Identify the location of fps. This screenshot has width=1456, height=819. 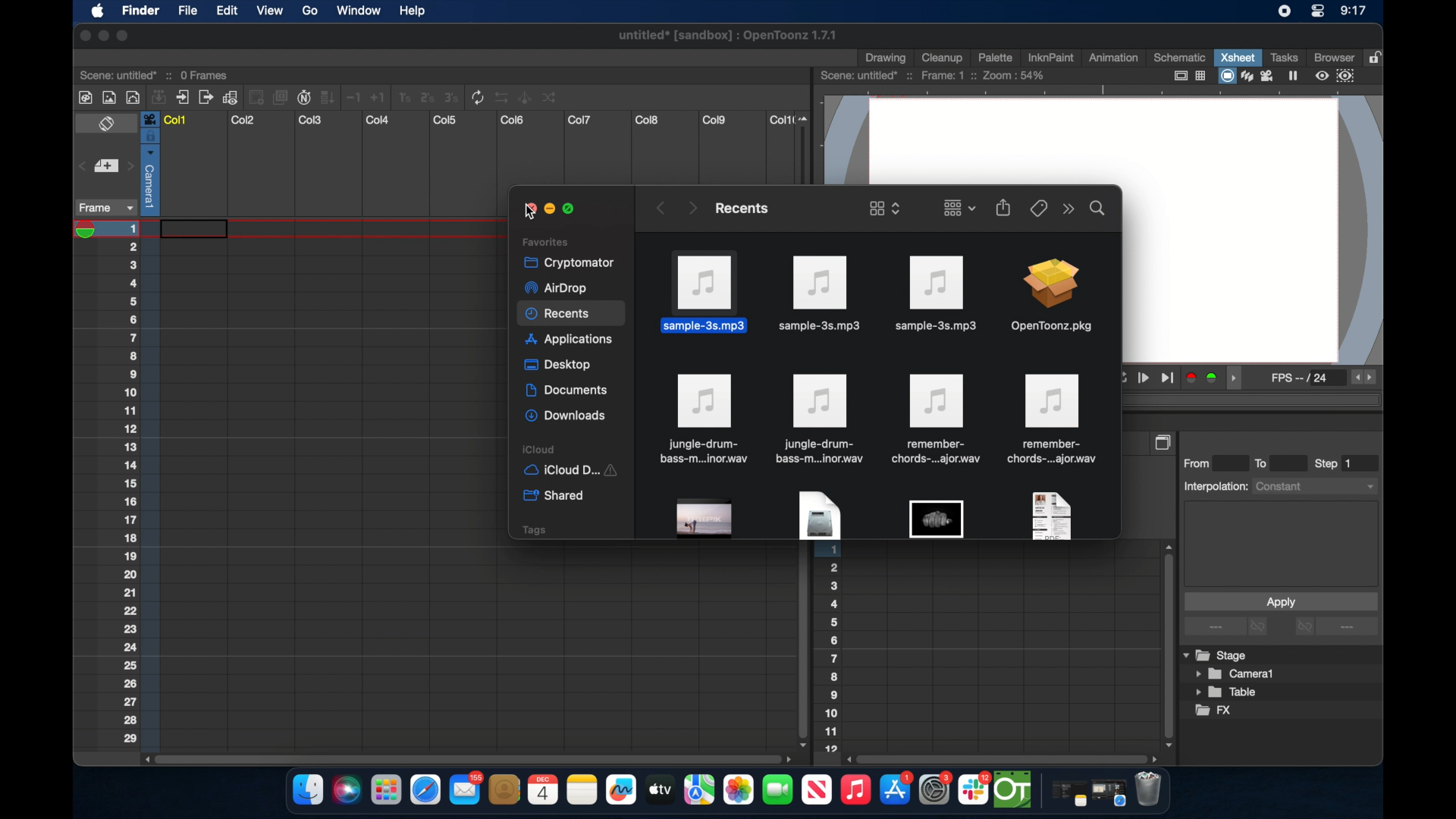
(1365, 378).